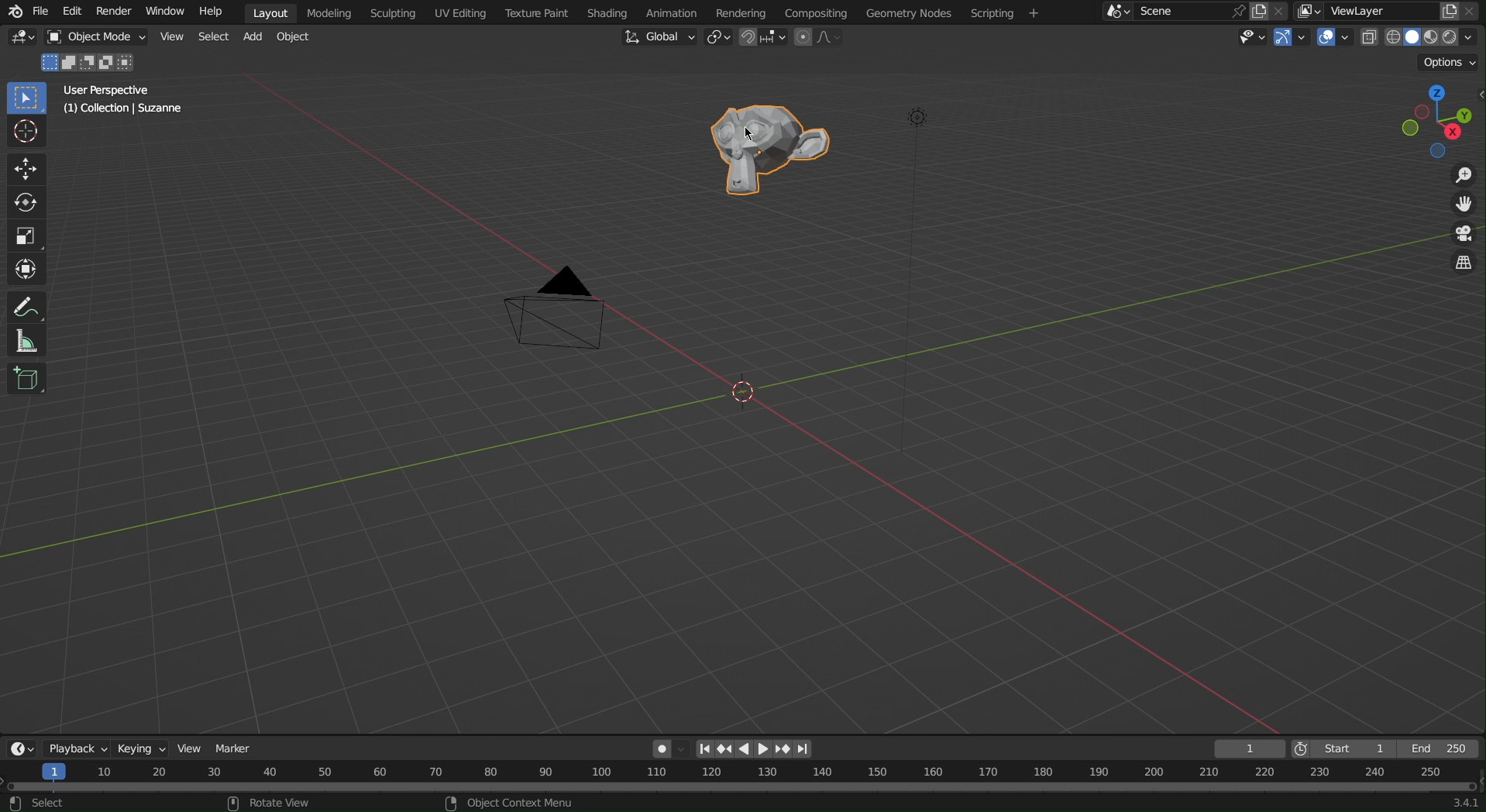 The width and height of the screenshot is (1486, 812). I want to click on Scale, so click(22, 232).